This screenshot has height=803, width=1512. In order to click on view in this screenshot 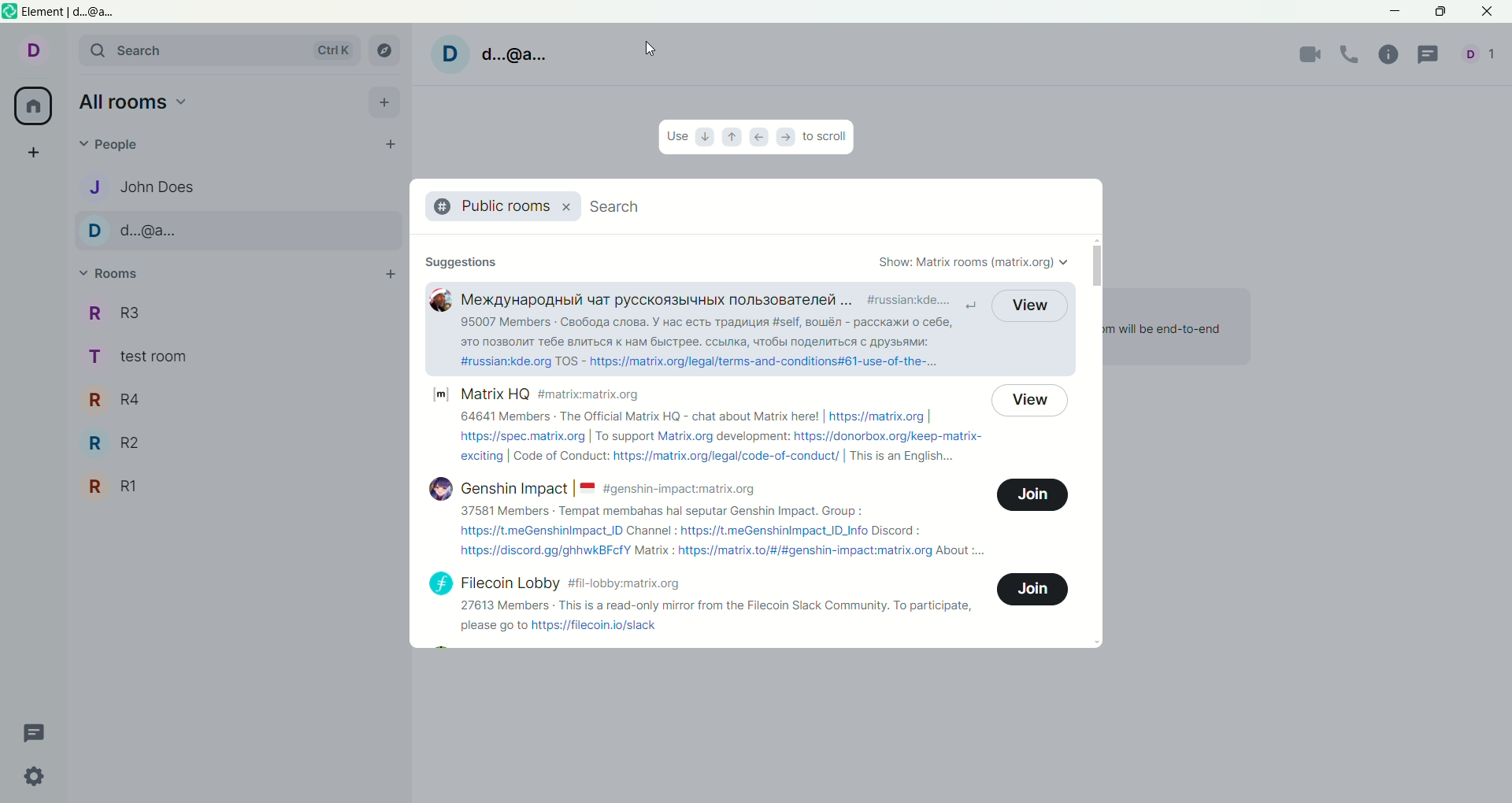, I will do `click(1029, 305)`.